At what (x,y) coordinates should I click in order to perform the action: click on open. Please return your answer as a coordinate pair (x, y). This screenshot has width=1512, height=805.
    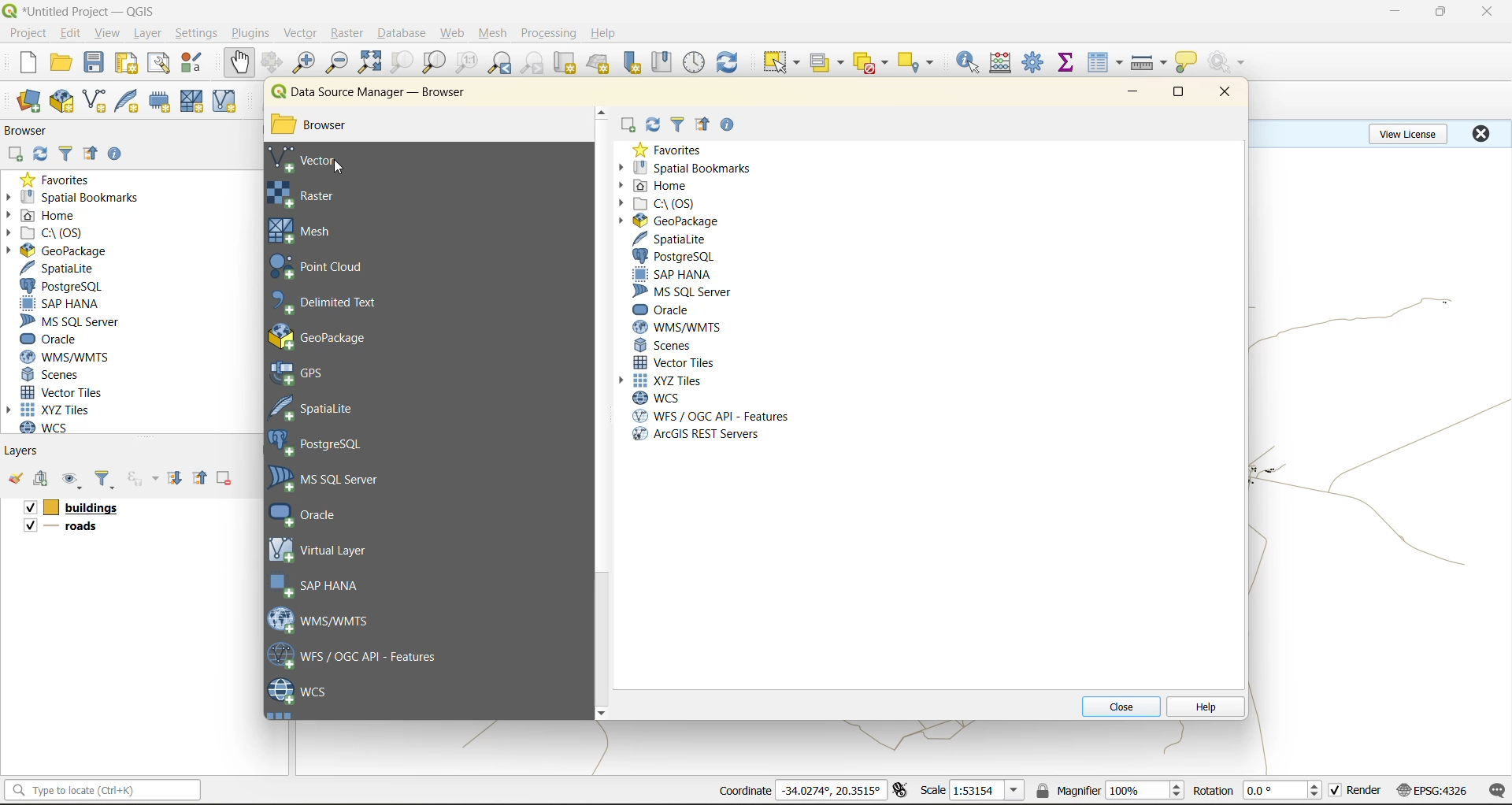
    Looking at the image, I should click on (15, 479).